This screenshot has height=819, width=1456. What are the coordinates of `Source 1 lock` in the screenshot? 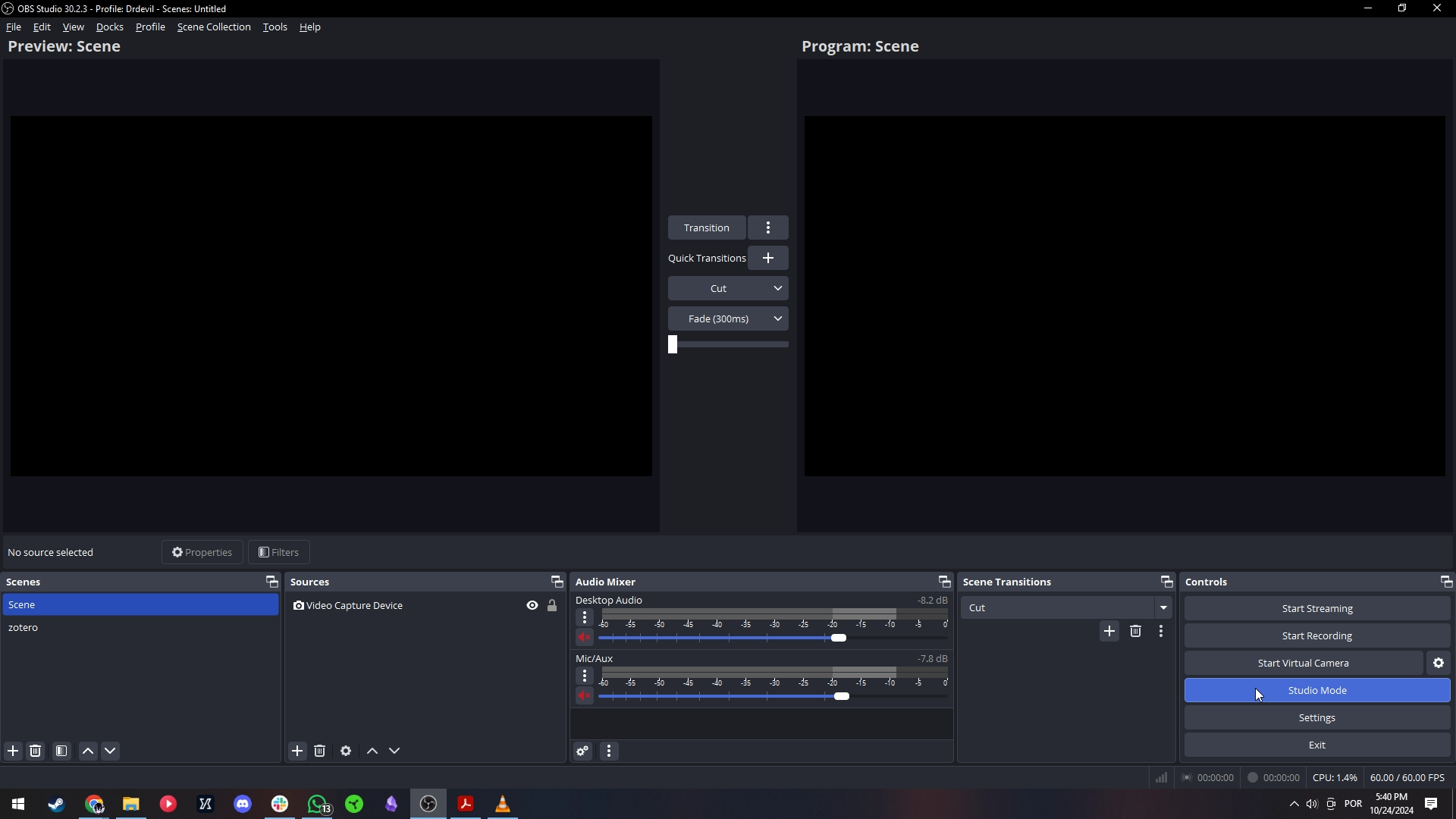 It's located at (552, 605).